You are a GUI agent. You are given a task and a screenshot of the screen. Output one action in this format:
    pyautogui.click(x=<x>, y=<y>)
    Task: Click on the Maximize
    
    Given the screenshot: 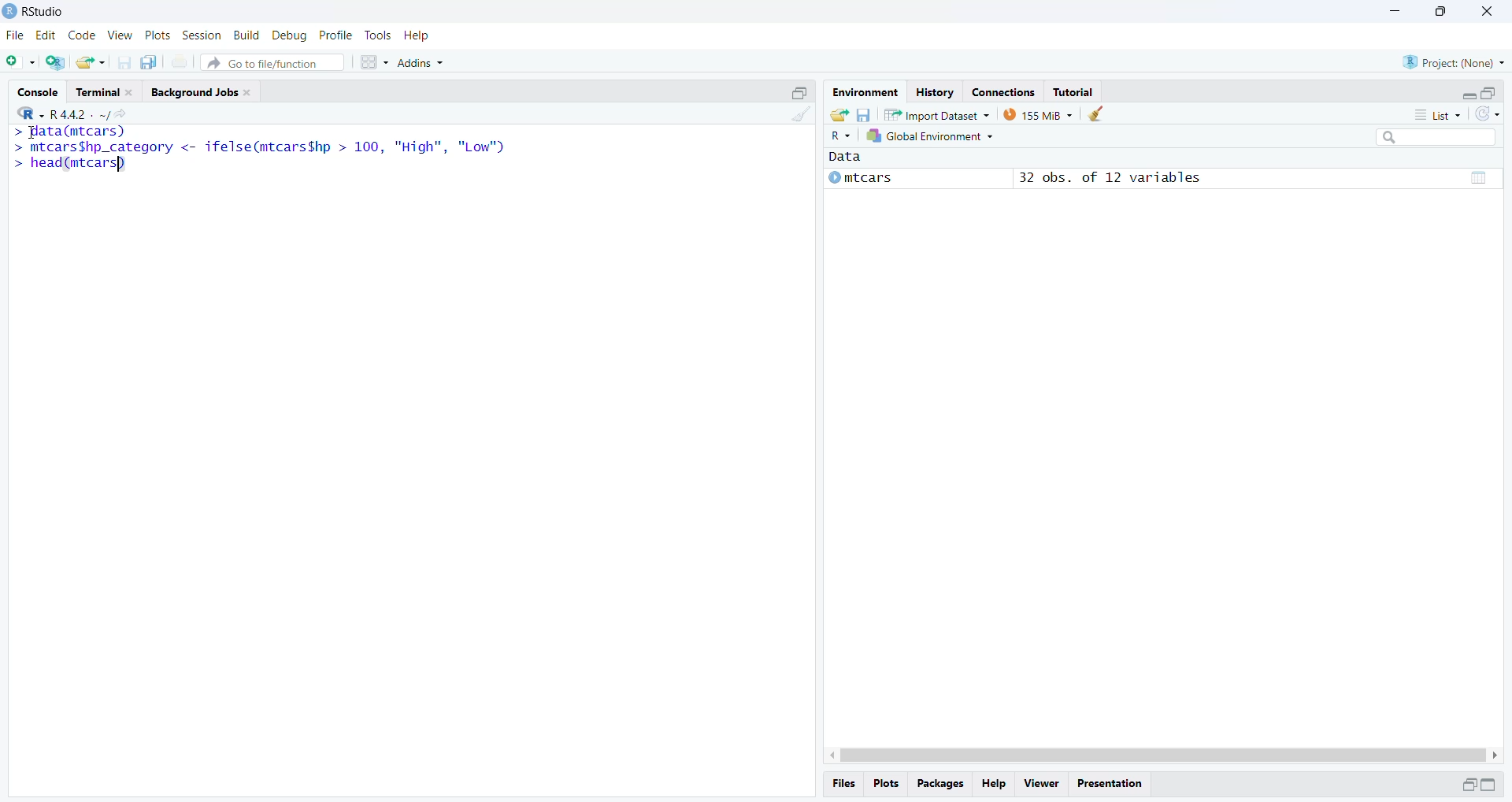 What is the action you would take?
    pyautogui.click(x=1439, y=12)
    